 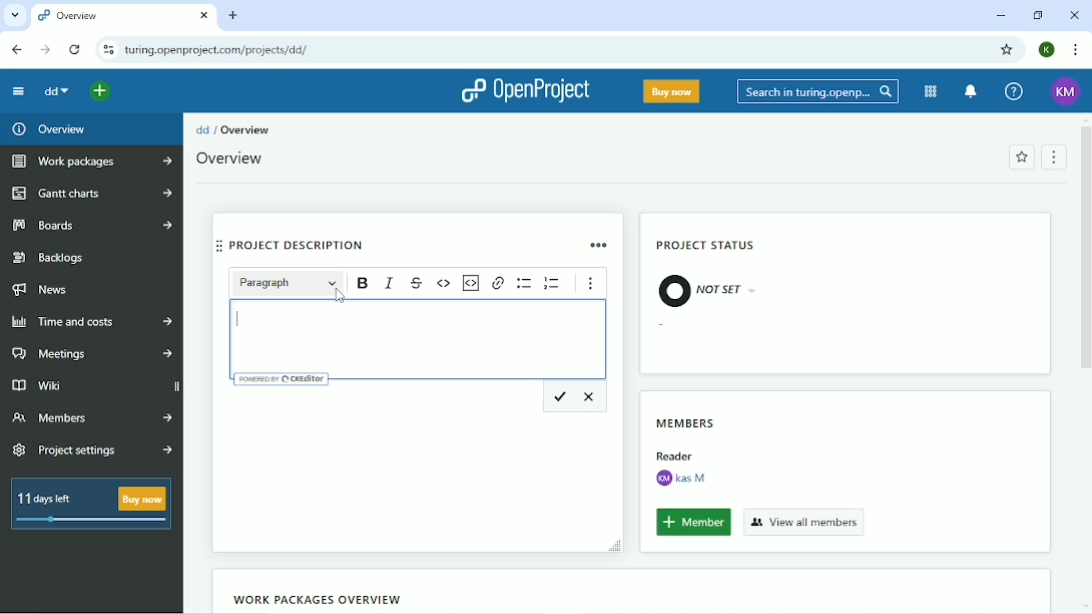 I want to click on Bulleted list, so click(x=524, y=283).